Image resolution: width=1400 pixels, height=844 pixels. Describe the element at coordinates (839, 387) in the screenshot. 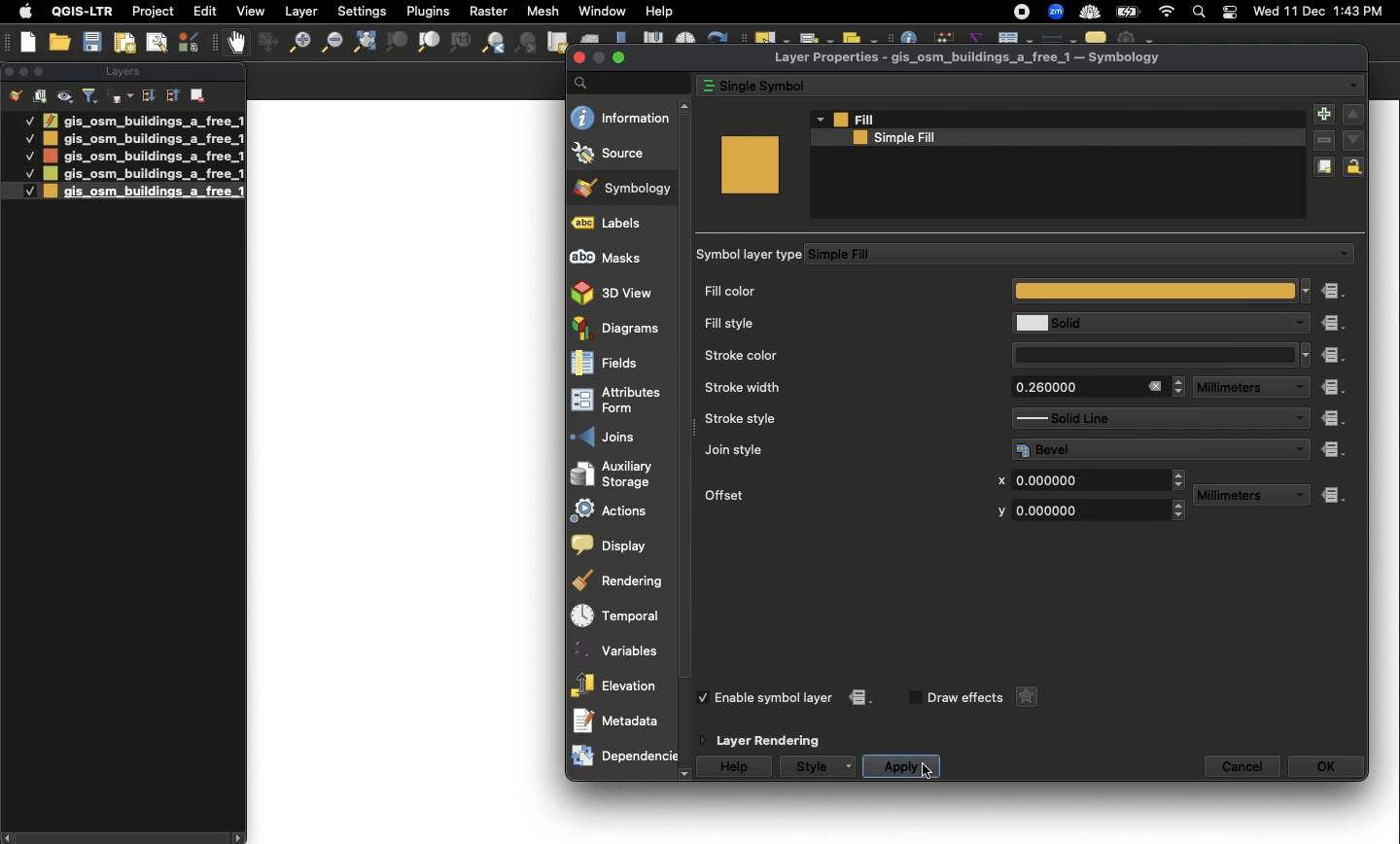

I see `Stroke width ` at that location.